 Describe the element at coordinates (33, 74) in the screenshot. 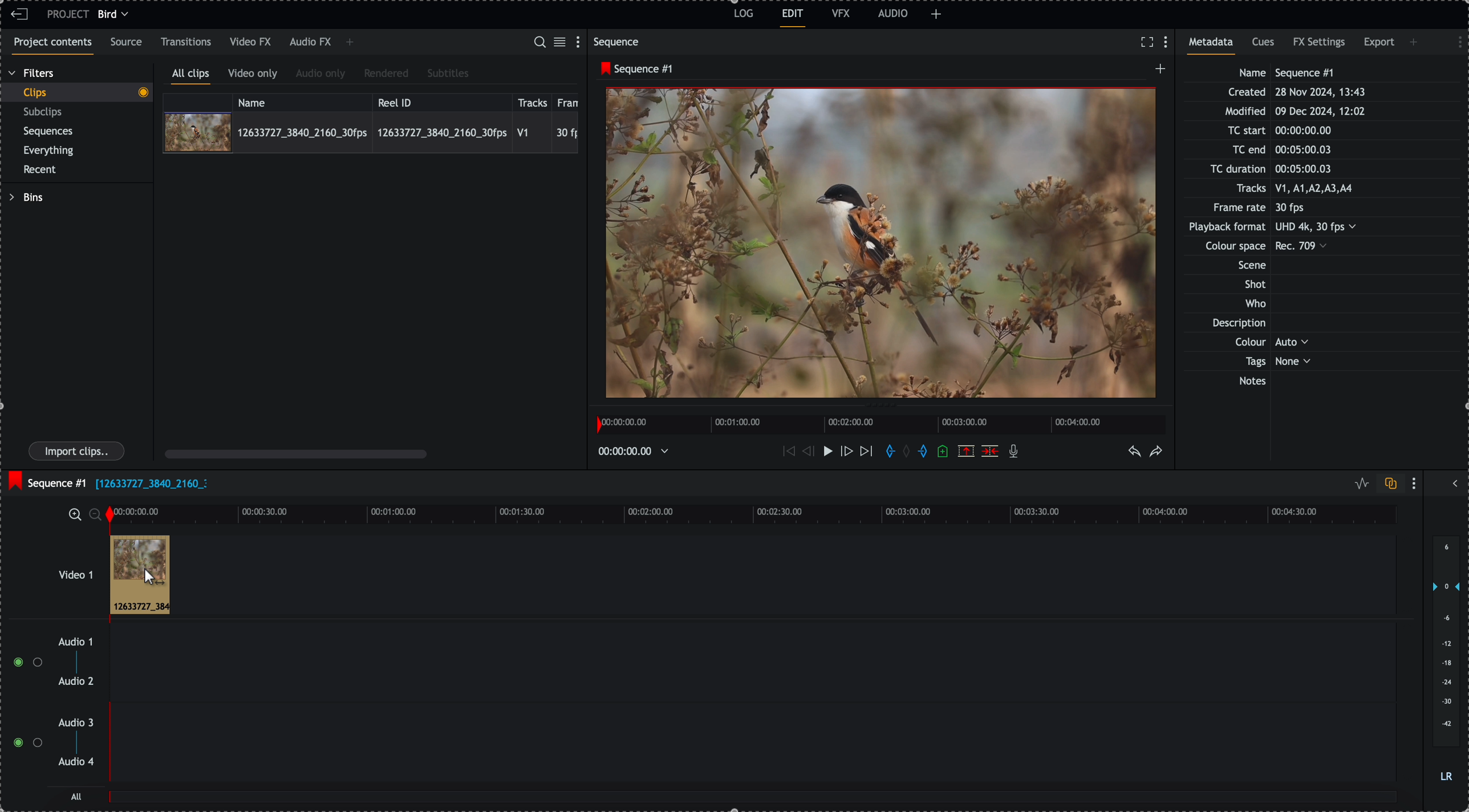

I see `filters` at that location.